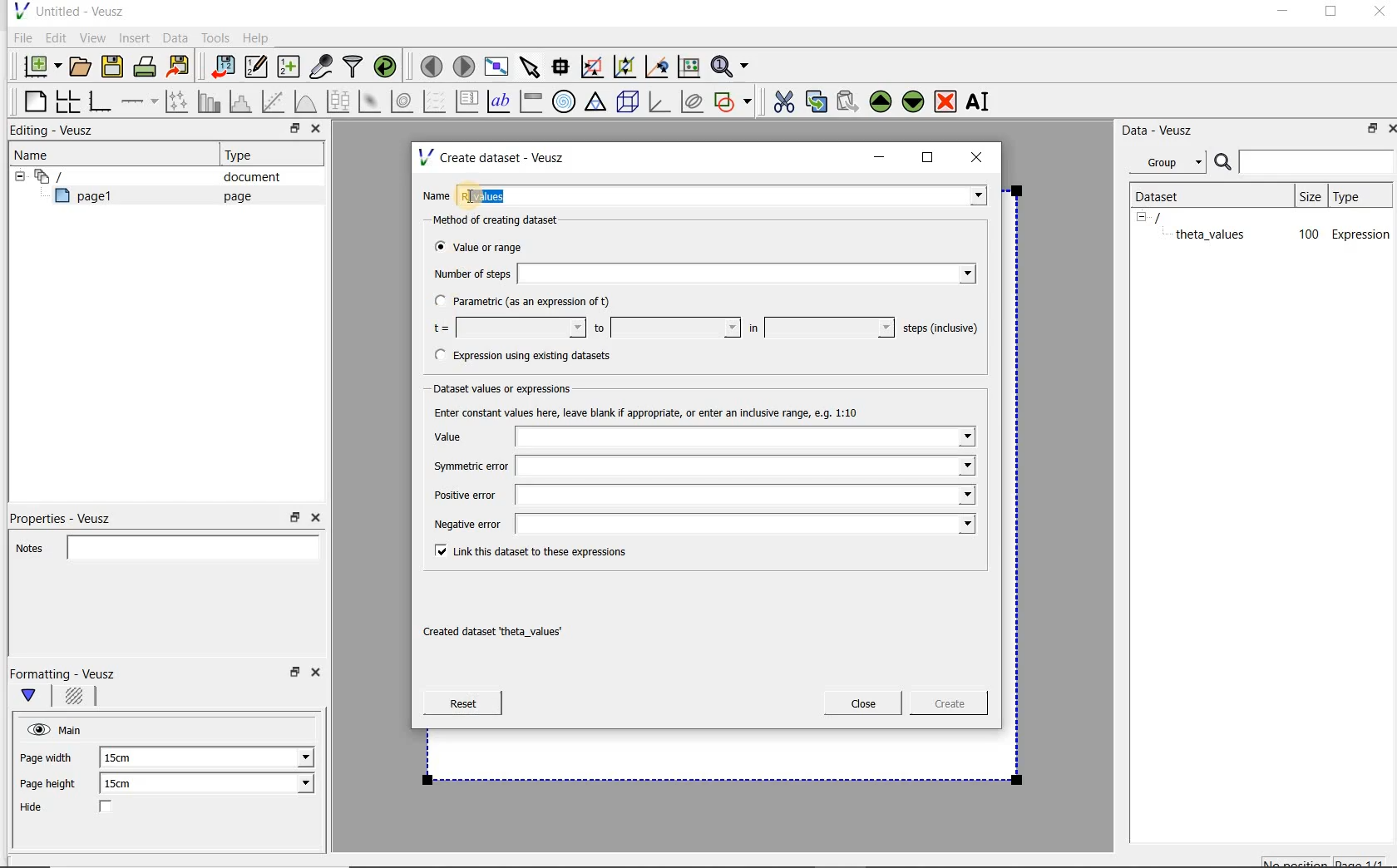 The width and height of the screenshot is (1397, 868). Describe the element at coordinates (178, 101) in the screenshot. I see `Plot points with lines and error bars` at that location.